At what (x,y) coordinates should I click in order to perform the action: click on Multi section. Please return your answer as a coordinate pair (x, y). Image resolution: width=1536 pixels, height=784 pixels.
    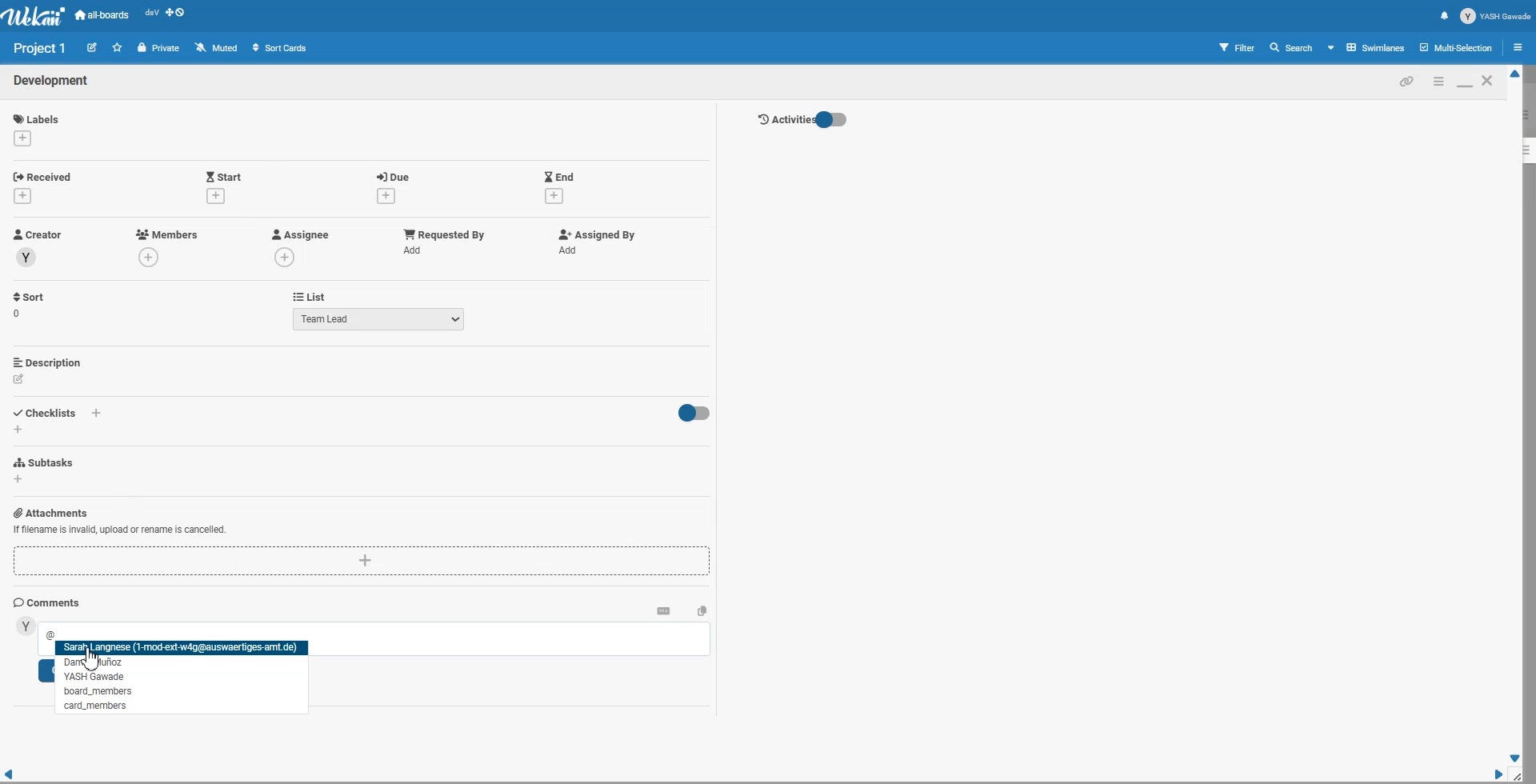
    Looking at the image, I should click on (1458, 47).